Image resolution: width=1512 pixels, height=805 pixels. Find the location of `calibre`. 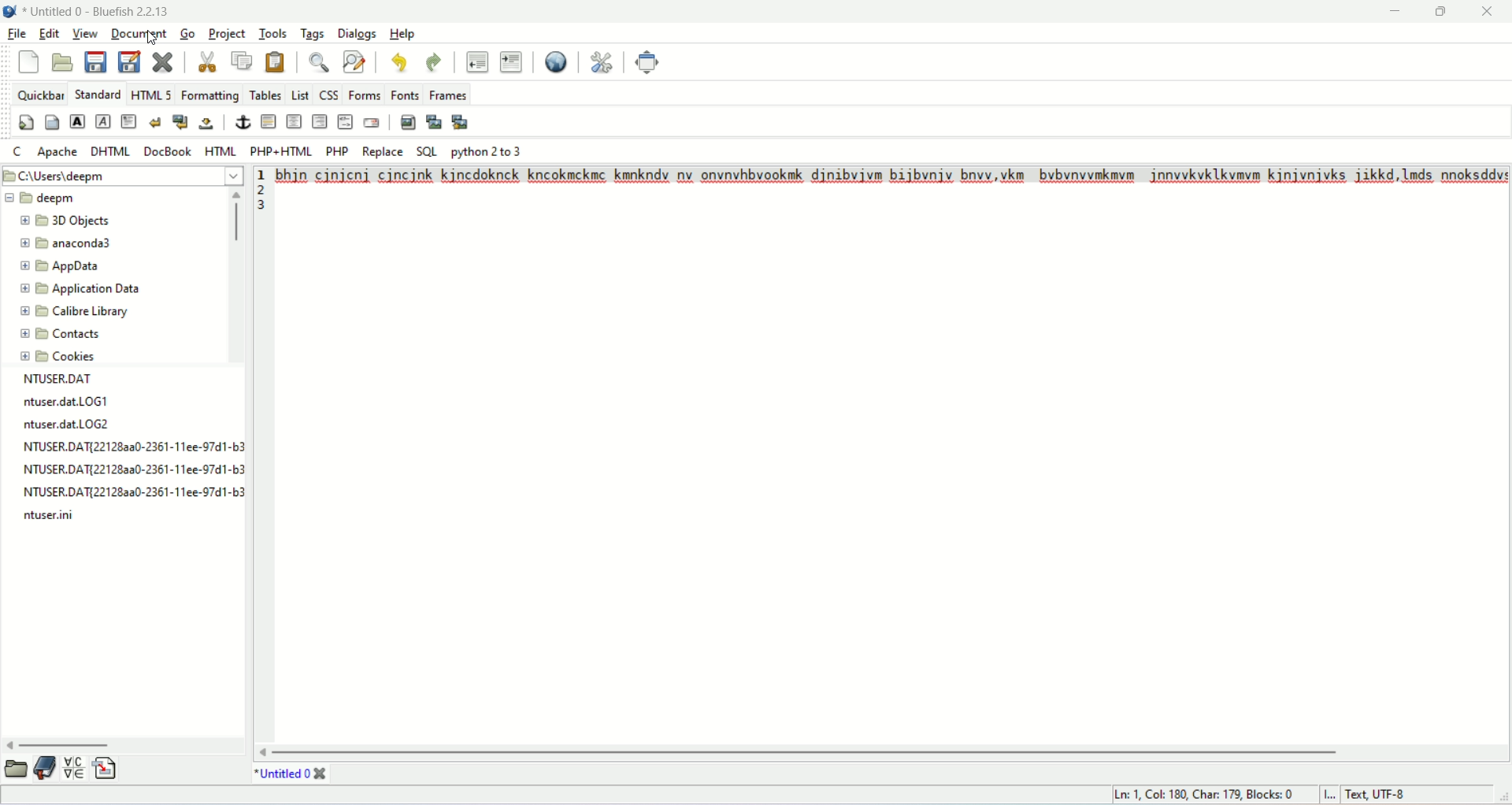

calibre is located at coordinates (76, 310).